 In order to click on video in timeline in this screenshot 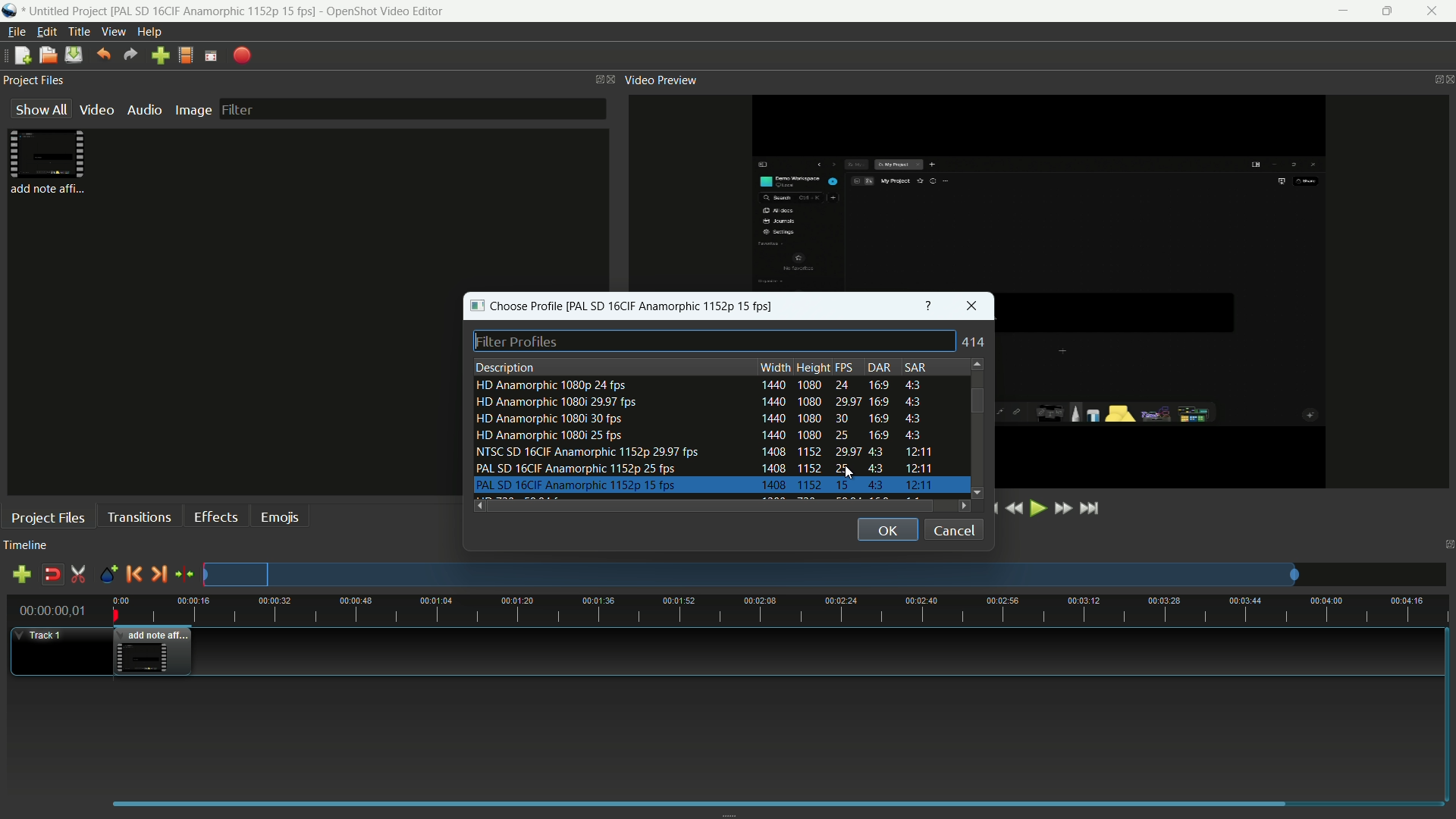, I will do `click(154, 651)`.